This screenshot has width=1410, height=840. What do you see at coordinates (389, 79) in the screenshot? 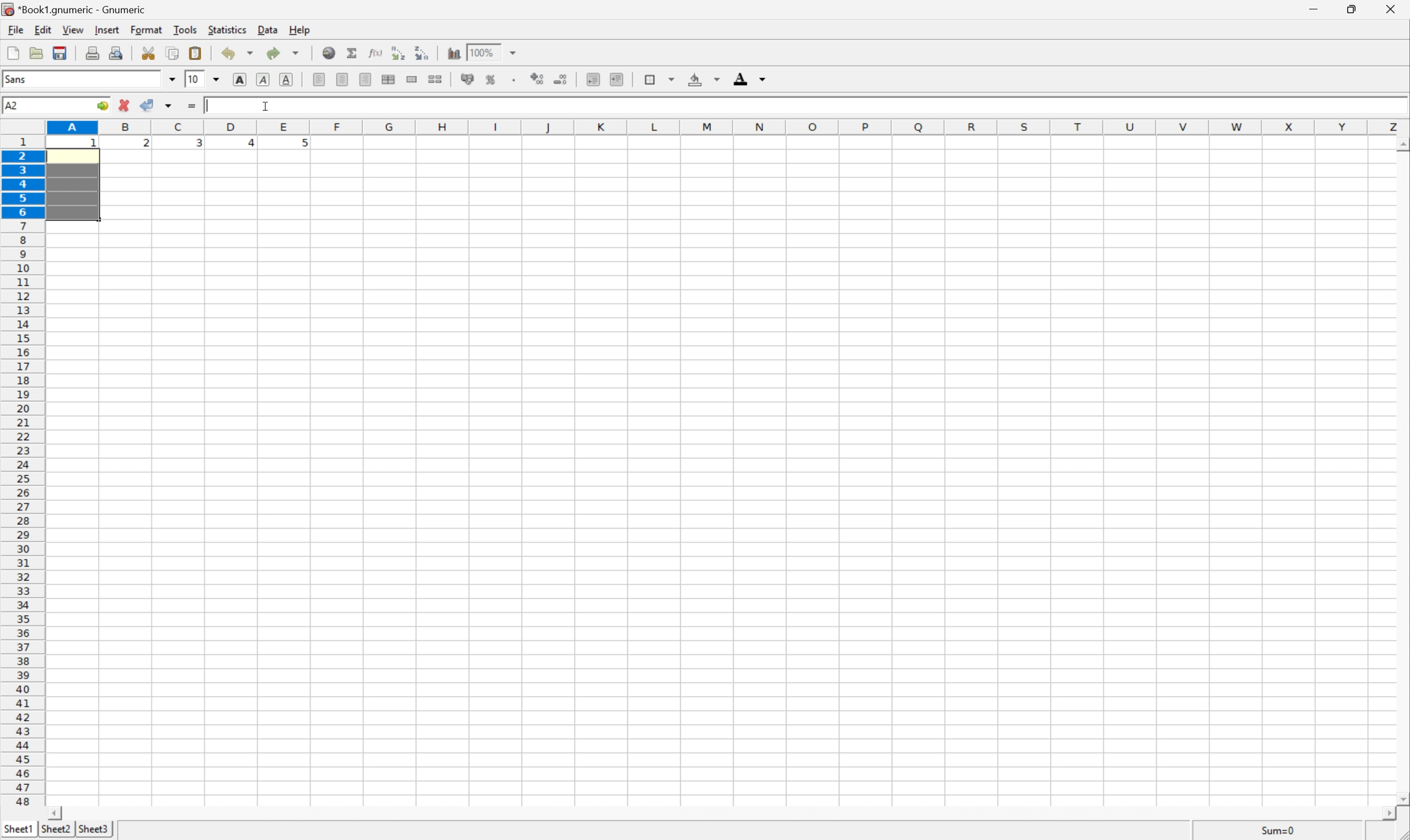
I see `center horizontally` at bounding box center [389, 79].